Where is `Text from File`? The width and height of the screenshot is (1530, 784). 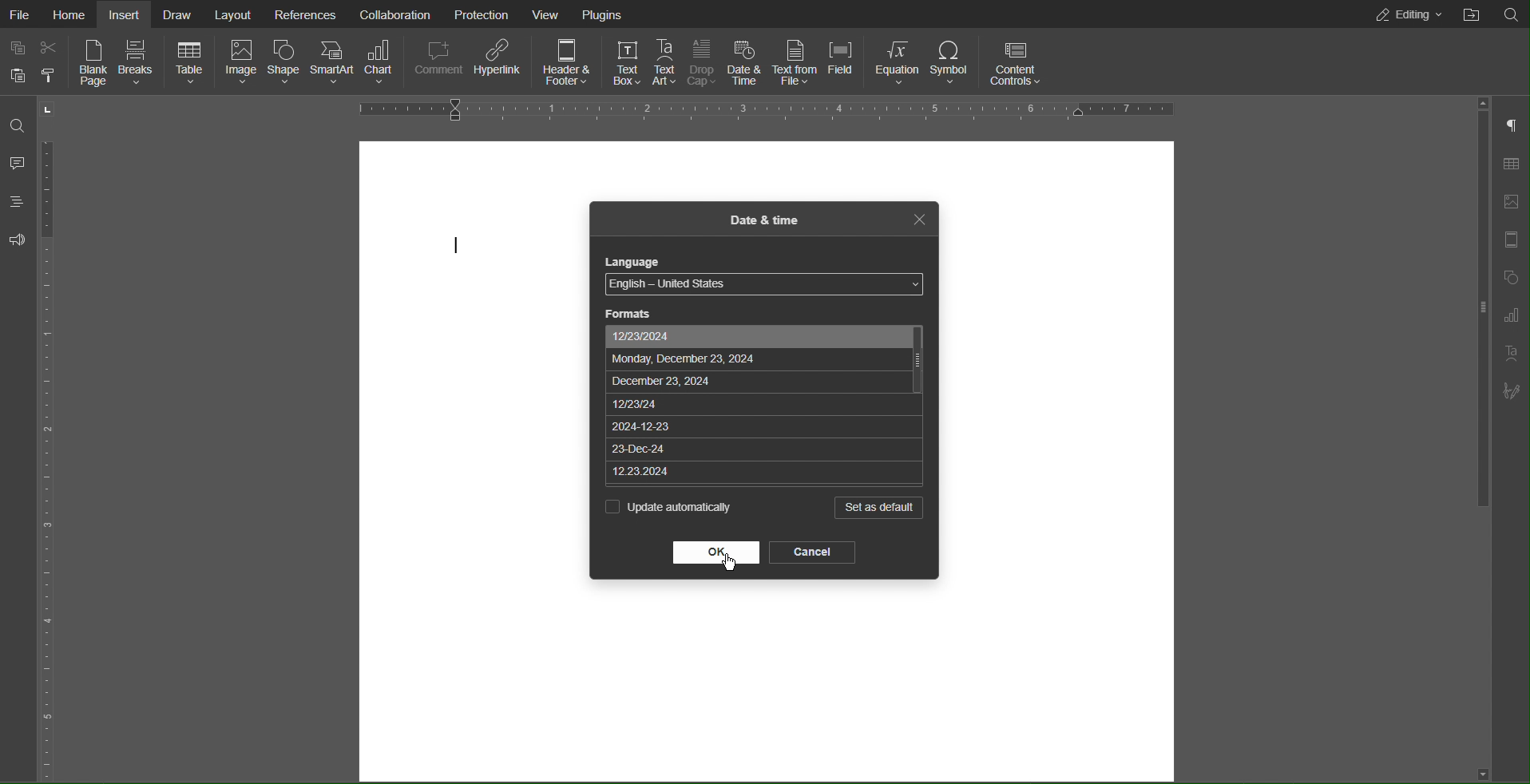 Text from File is located at coordinates (795, 61).